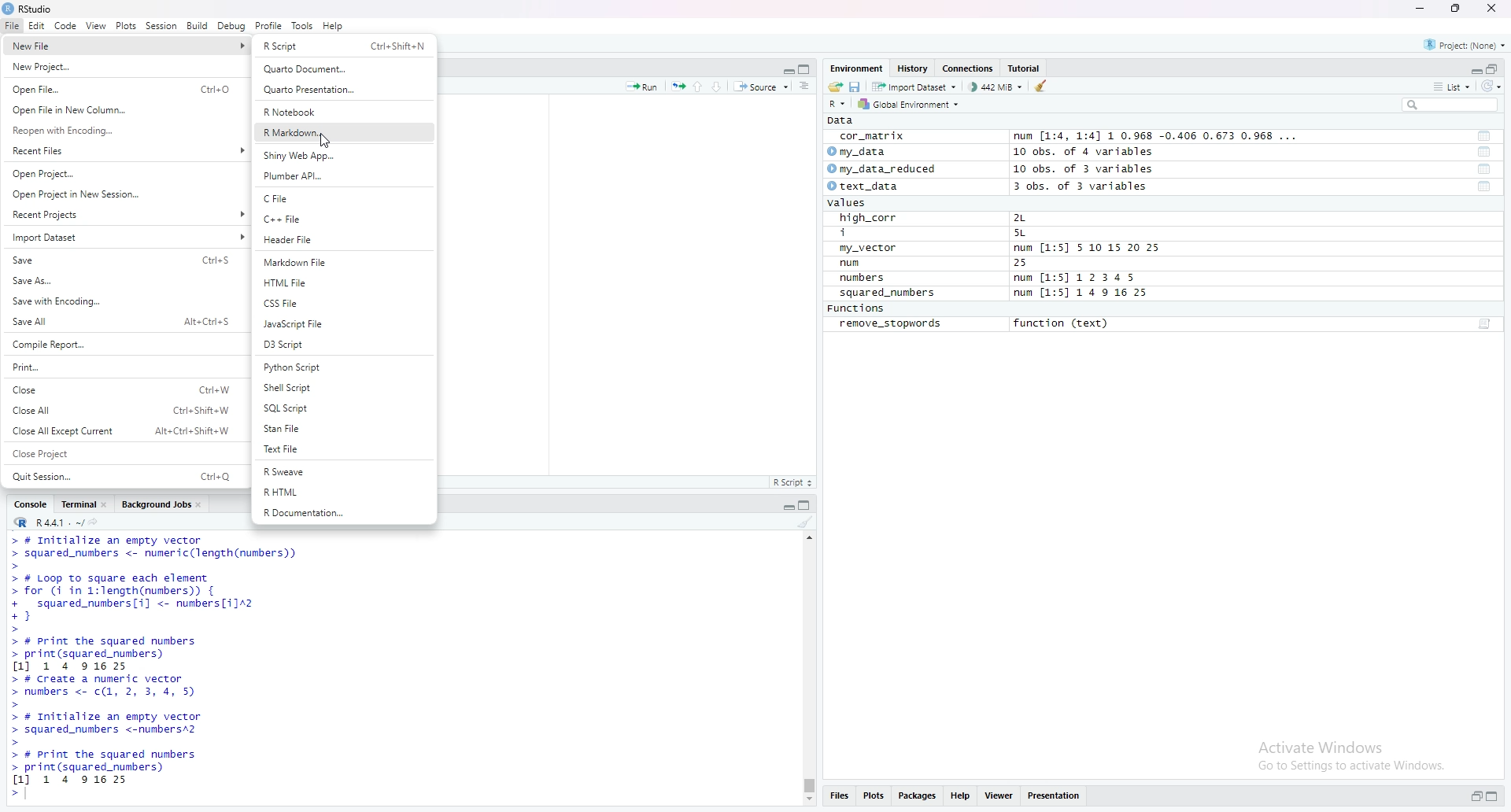 The image size is (1511, 812). What do you see at coordinates (1454, 86) in the screenshot?
I see `List` at bounding box center [1454, 86].